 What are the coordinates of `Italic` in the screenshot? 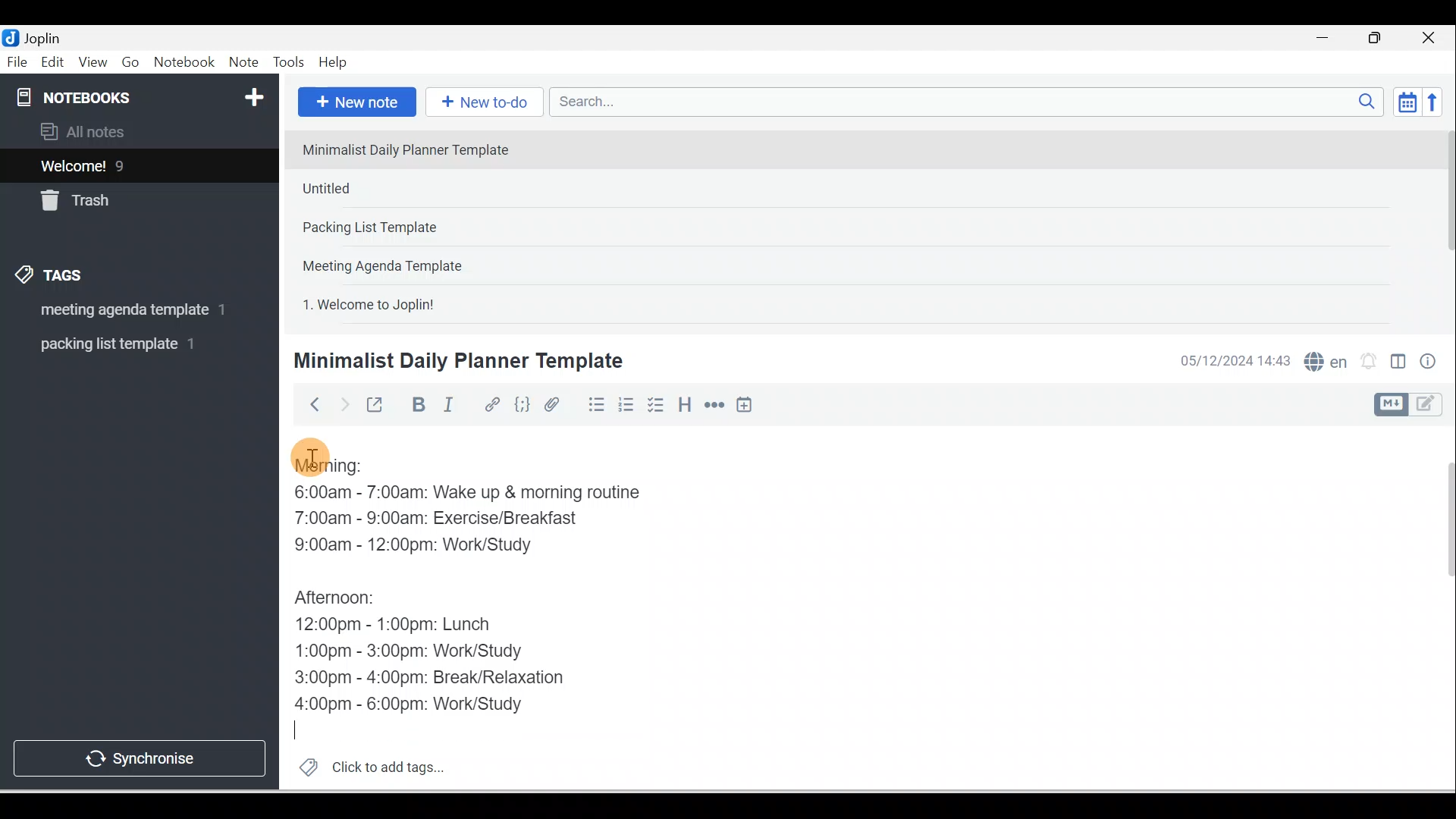 It's located at (451, 407).